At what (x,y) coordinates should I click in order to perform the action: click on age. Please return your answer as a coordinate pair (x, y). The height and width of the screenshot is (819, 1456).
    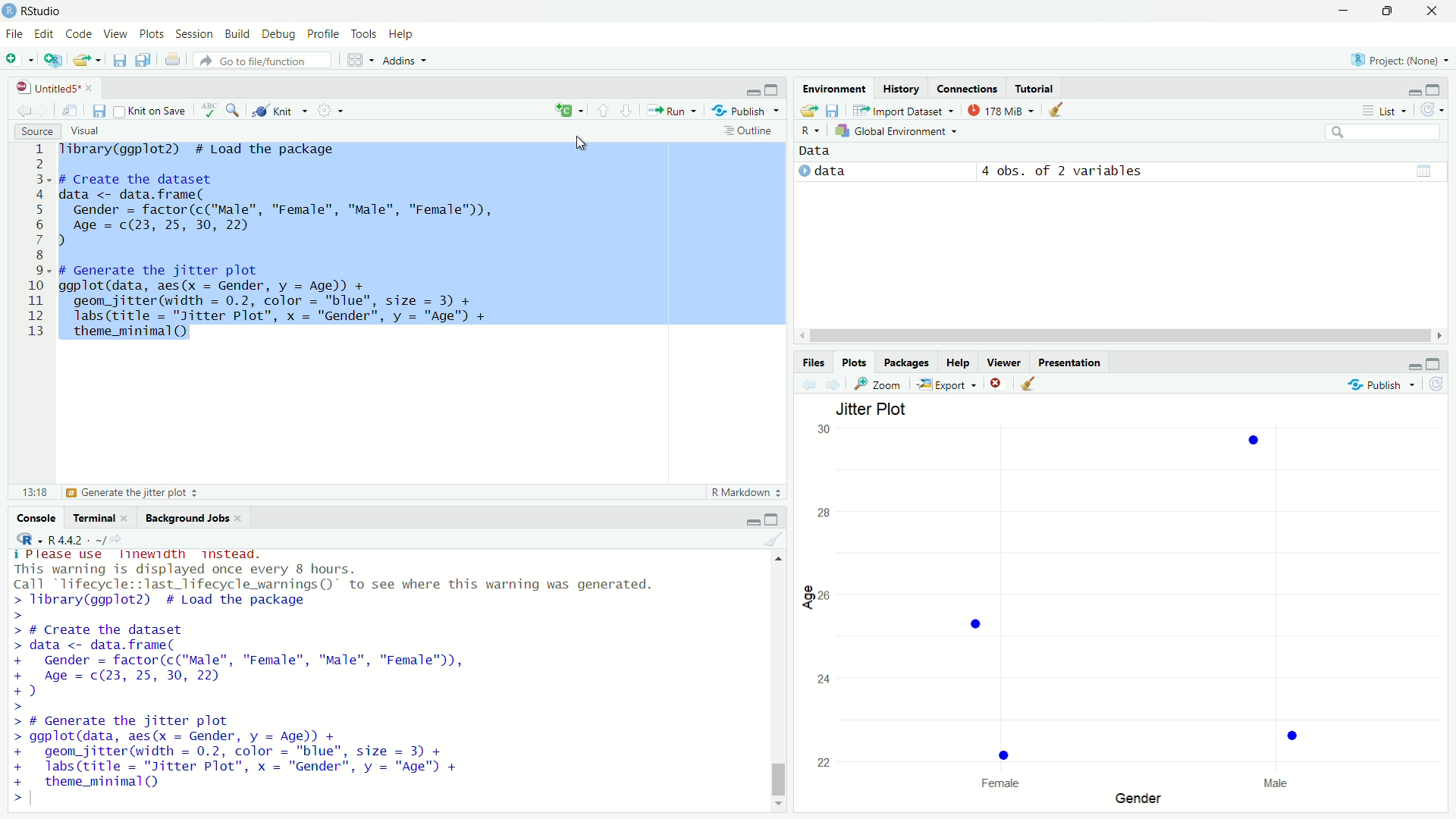
    Looking at the image, I should click on (805, 593).